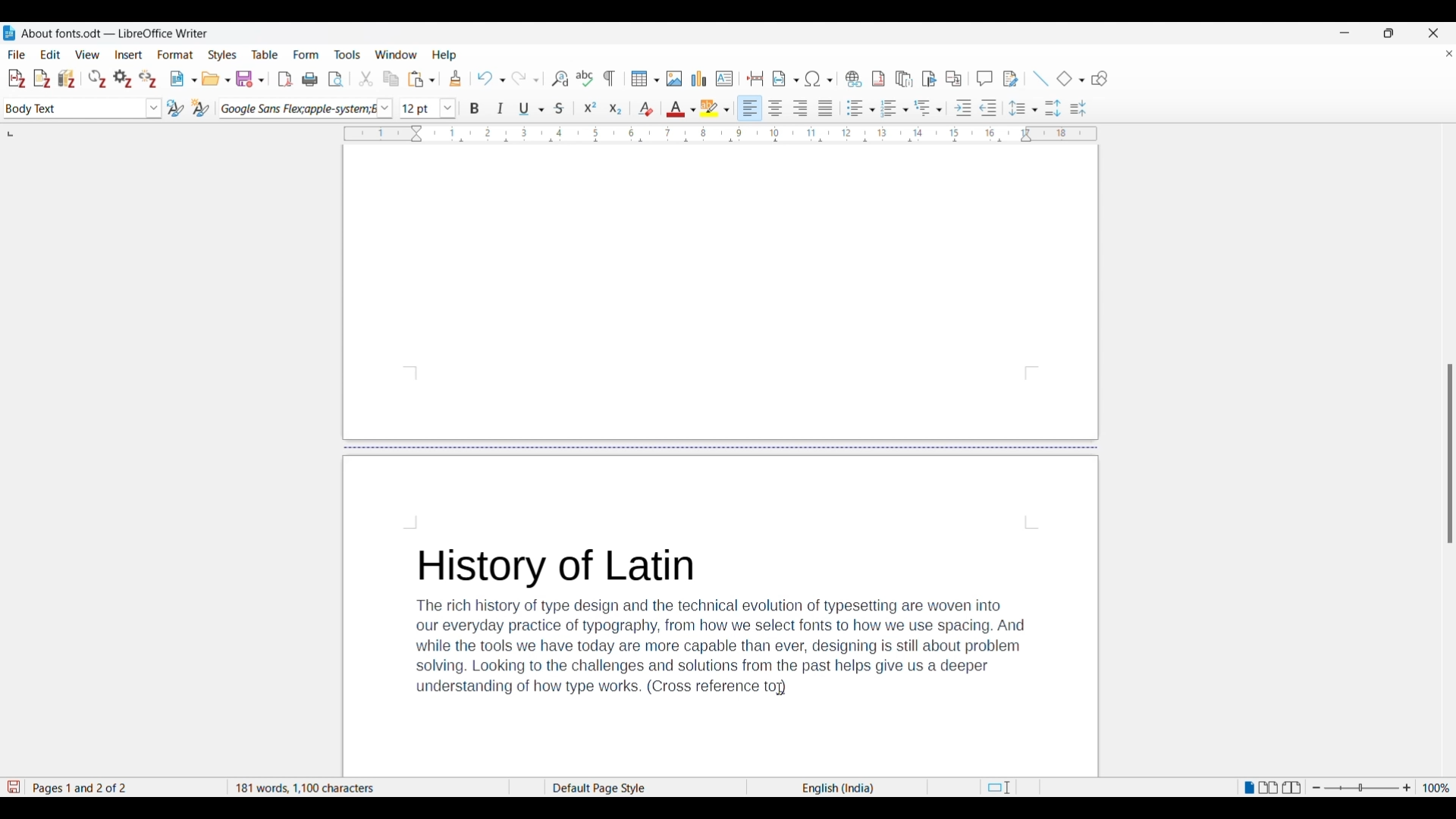 The image size is (1456, 819). I want to click on Add note, so click(42, 79).